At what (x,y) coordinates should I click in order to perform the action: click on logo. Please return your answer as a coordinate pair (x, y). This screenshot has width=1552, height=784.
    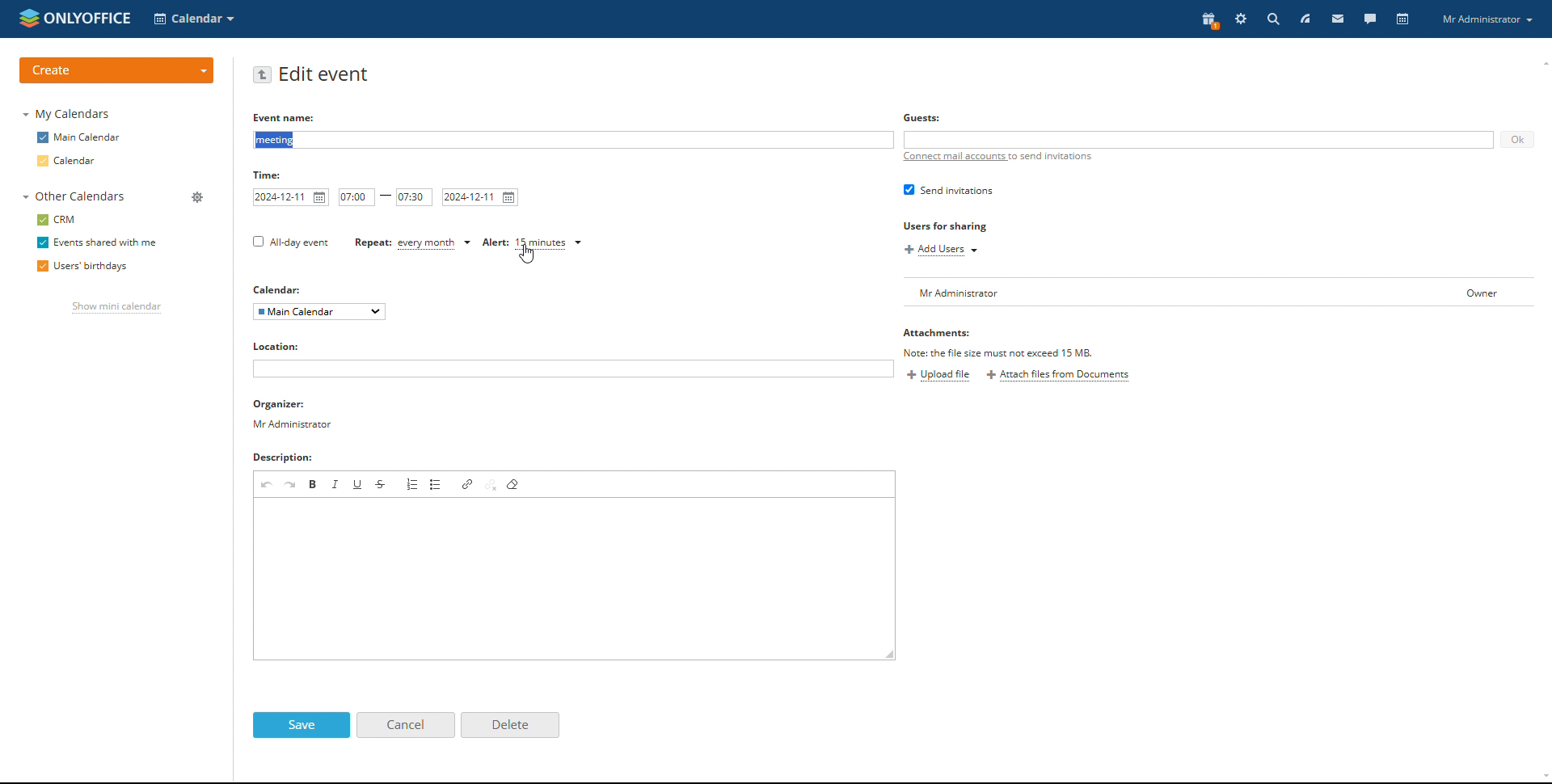
    Looking at the image, I should click on (75, 18).